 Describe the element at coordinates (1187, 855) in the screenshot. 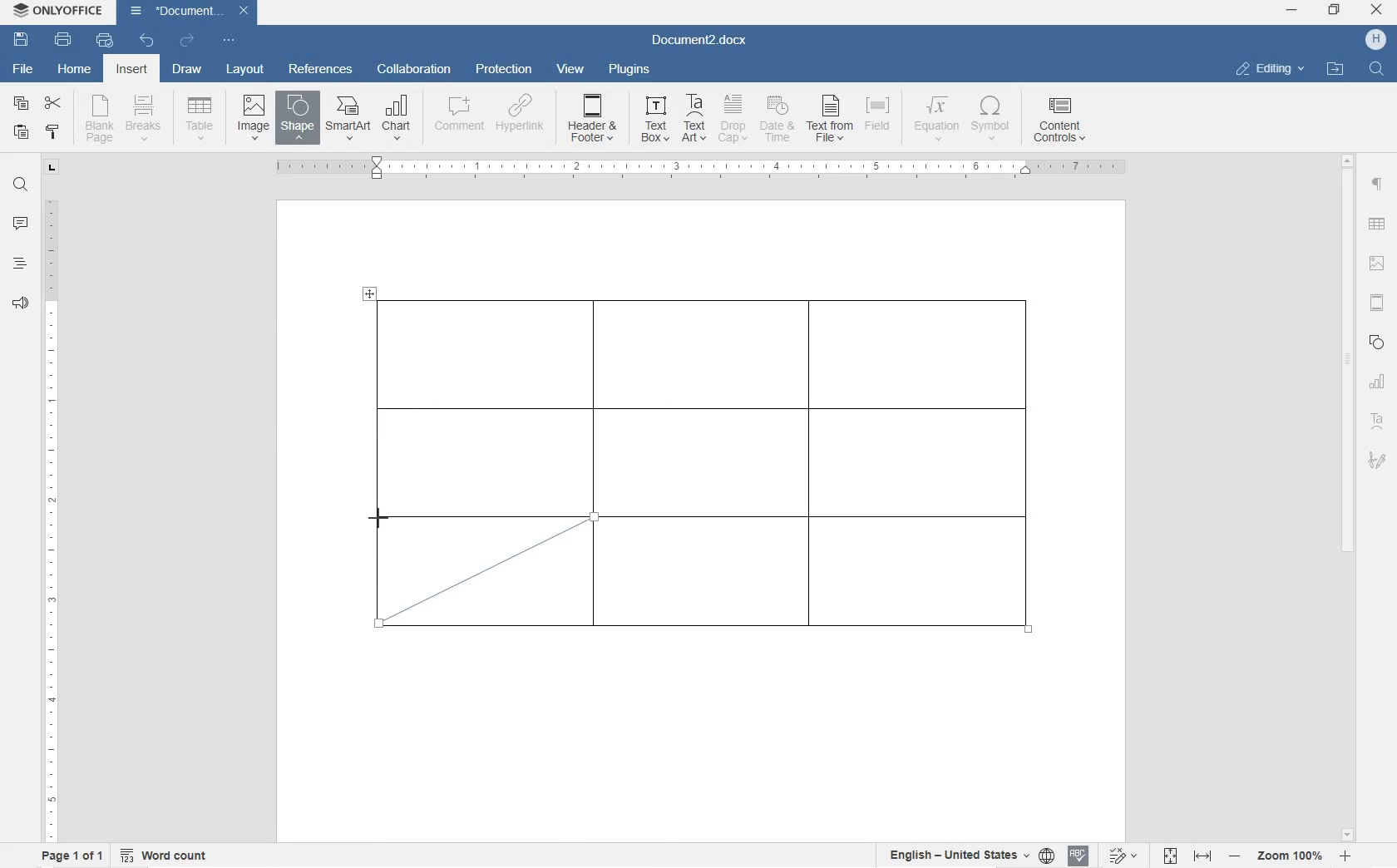

I see `fit to page or width` at that location.